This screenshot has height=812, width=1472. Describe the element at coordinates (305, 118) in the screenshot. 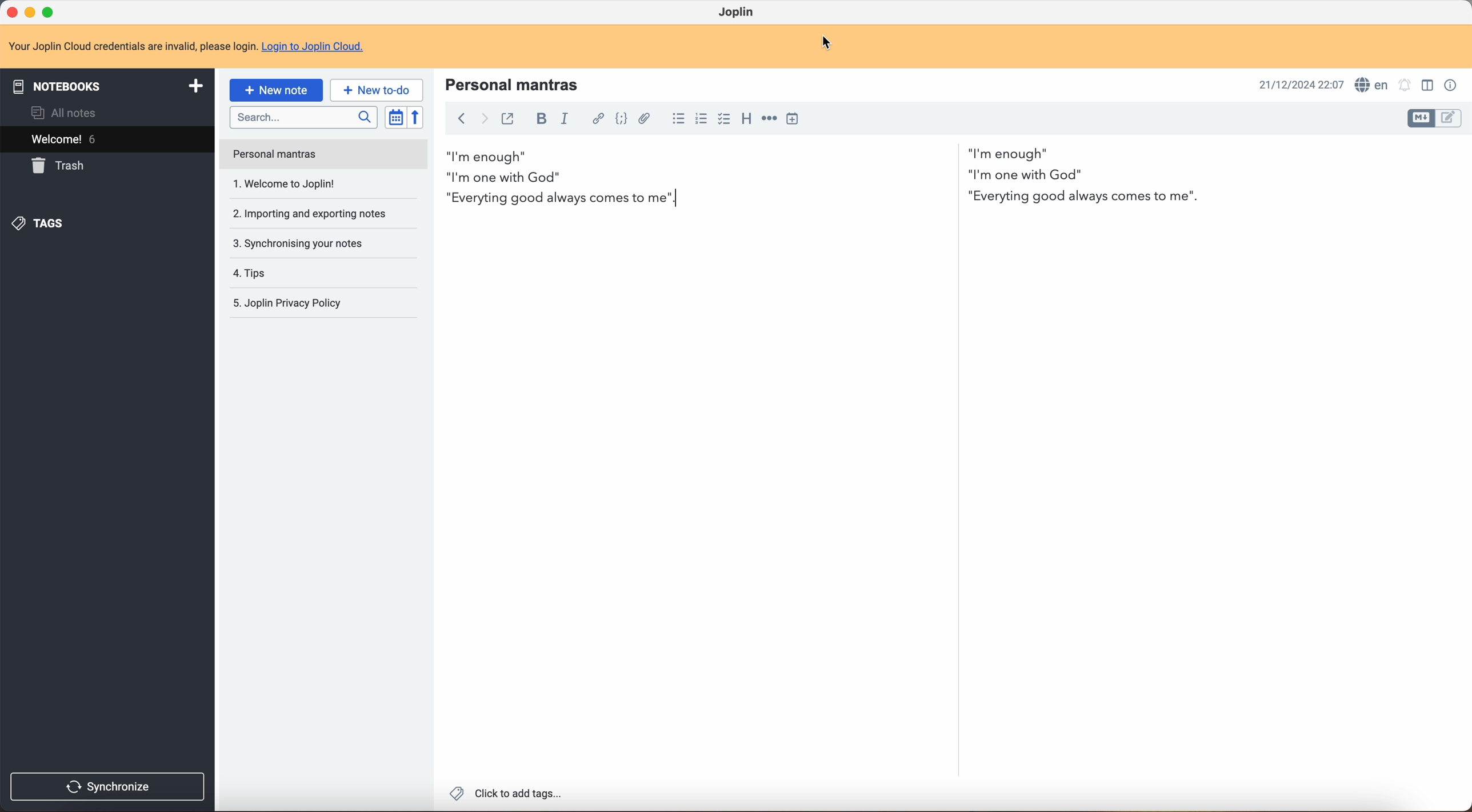

I see `search bar` at that location.